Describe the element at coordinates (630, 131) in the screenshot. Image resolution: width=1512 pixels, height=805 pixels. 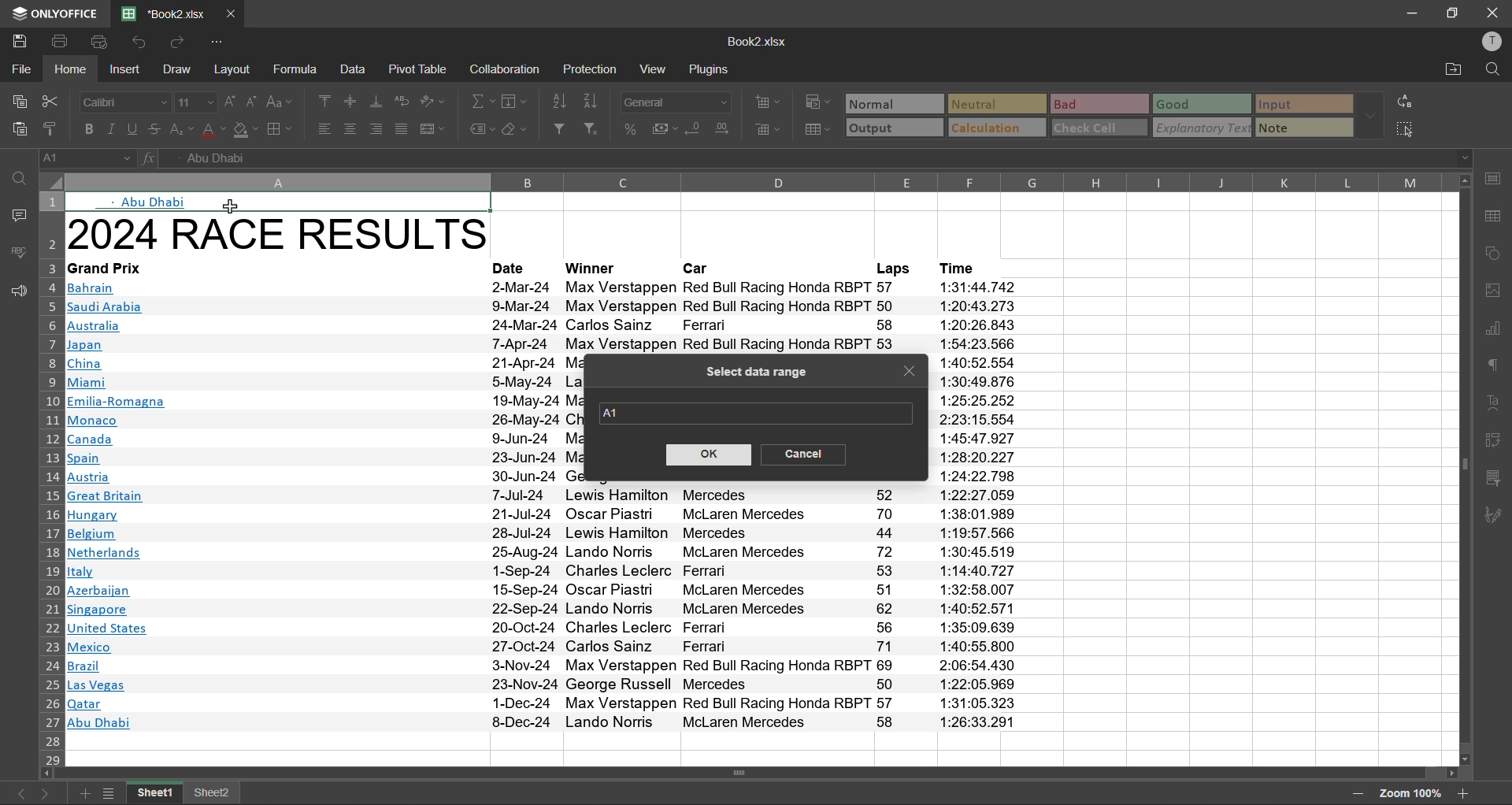
I see `percent` at that location.